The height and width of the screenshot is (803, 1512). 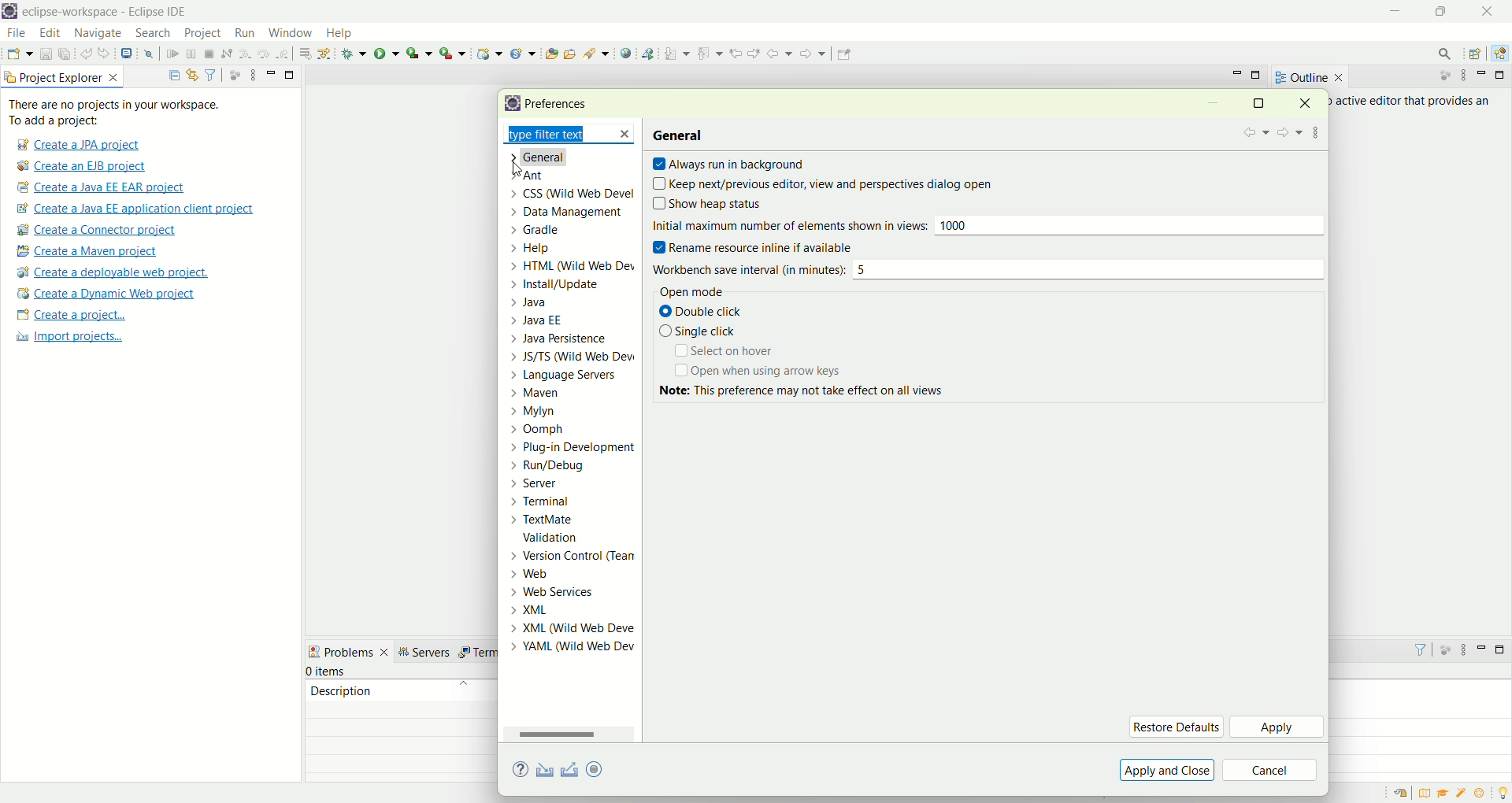 What do you see at coordinates (698, 331) in the screenshot?
I see `single click` at bounding box center [698, 331].